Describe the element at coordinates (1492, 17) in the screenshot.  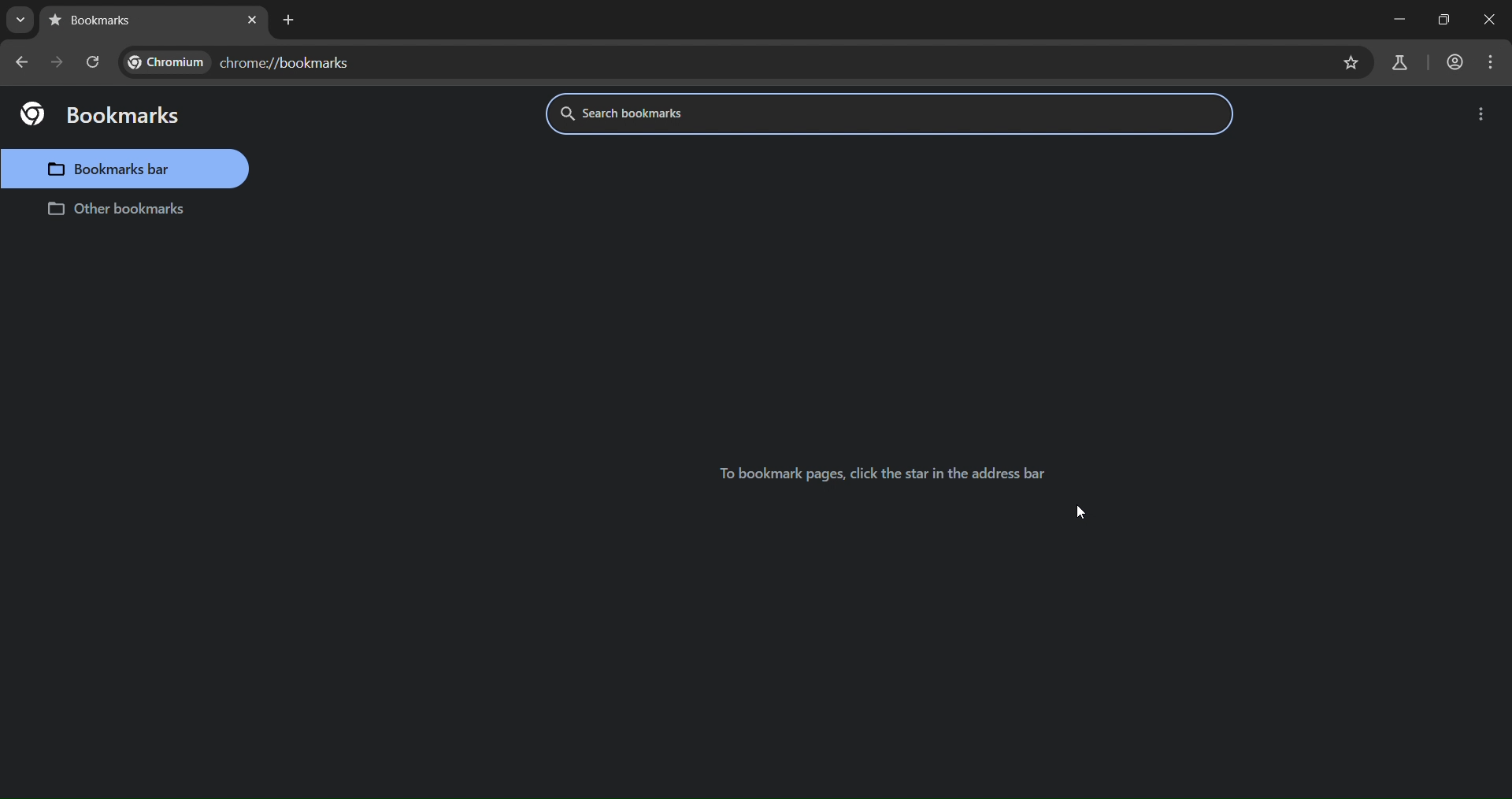
I see `close` at that location.